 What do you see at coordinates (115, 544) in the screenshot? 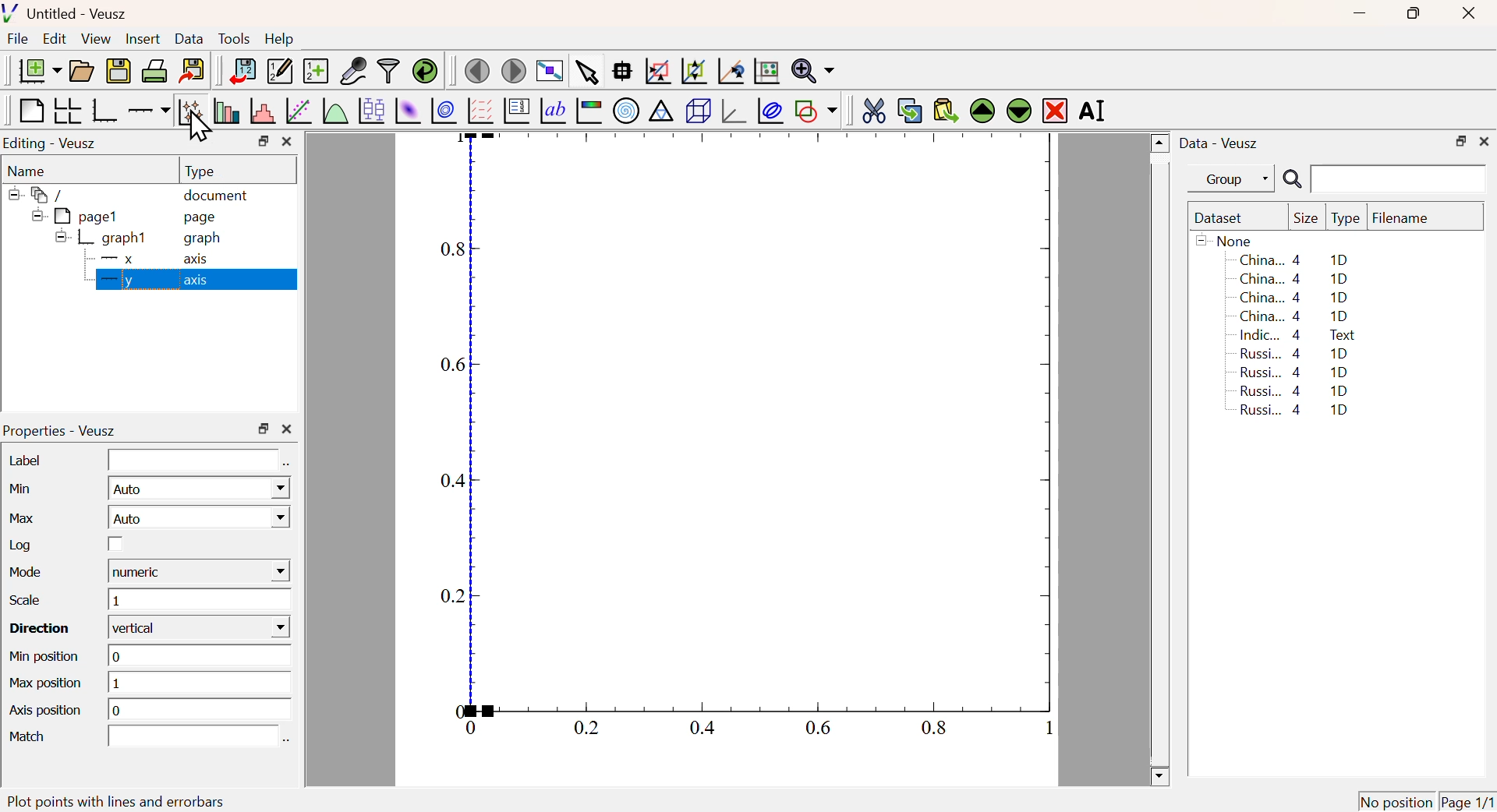
I see `Checkbox` at bounding box center [115, 544].